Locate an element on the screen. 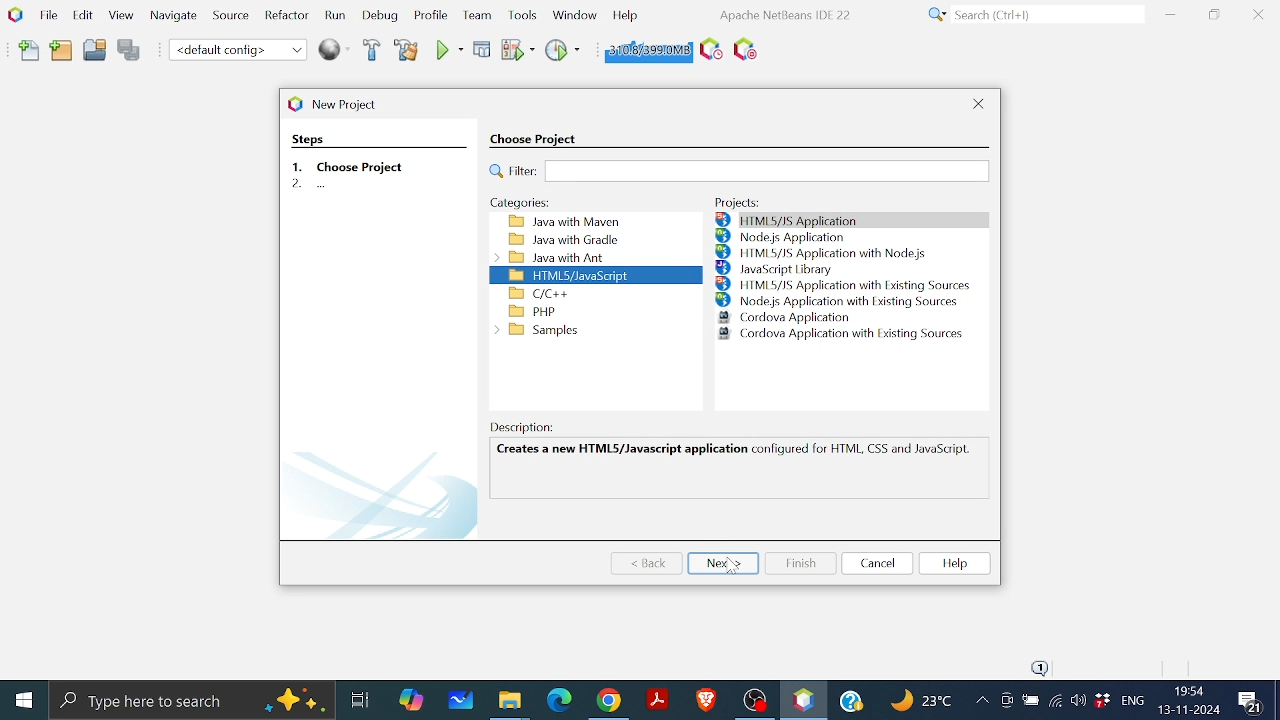  Profile is located at coordinates (429, 16).